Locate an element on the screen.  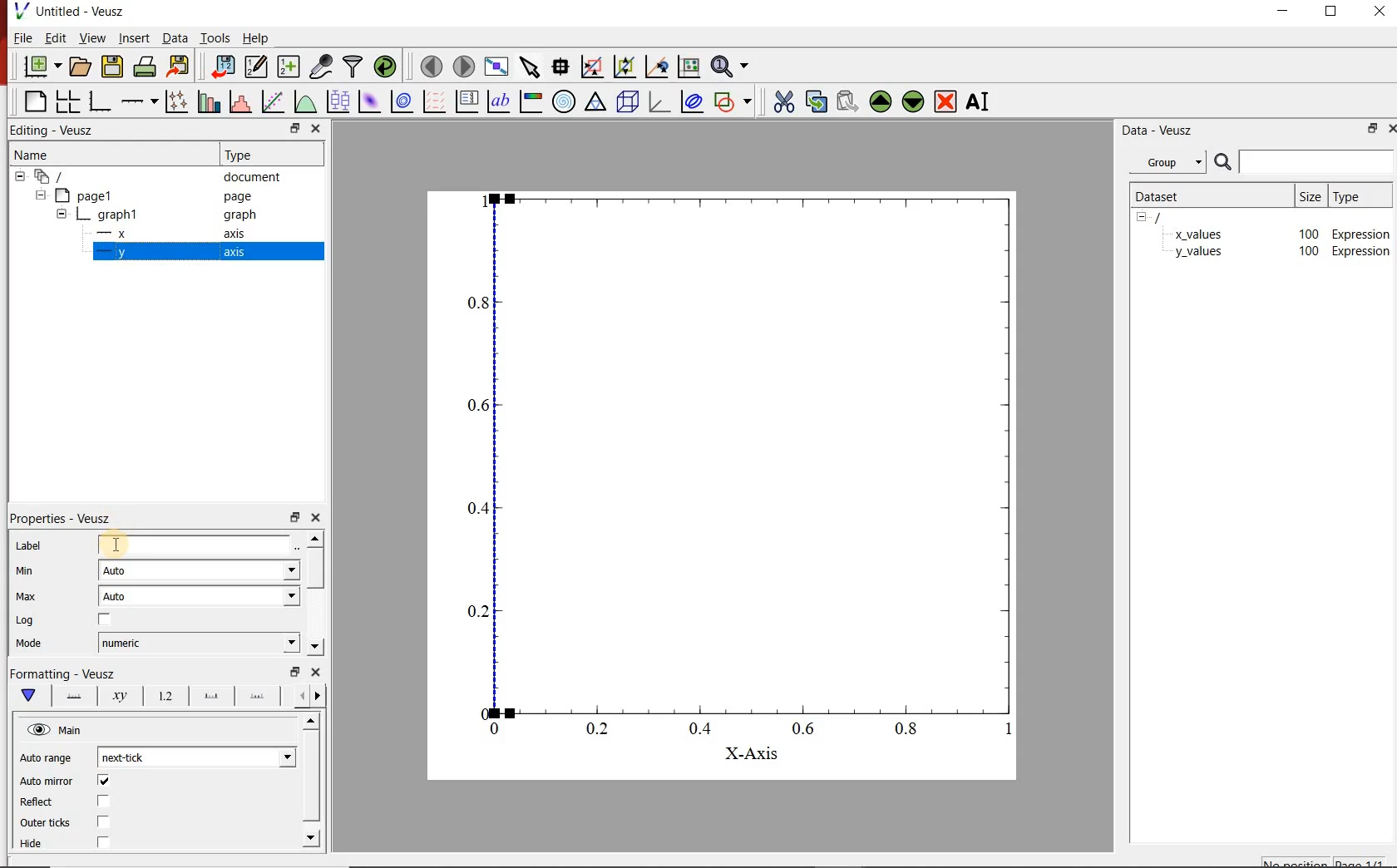
all apegs is located at coordinates (58, 176).